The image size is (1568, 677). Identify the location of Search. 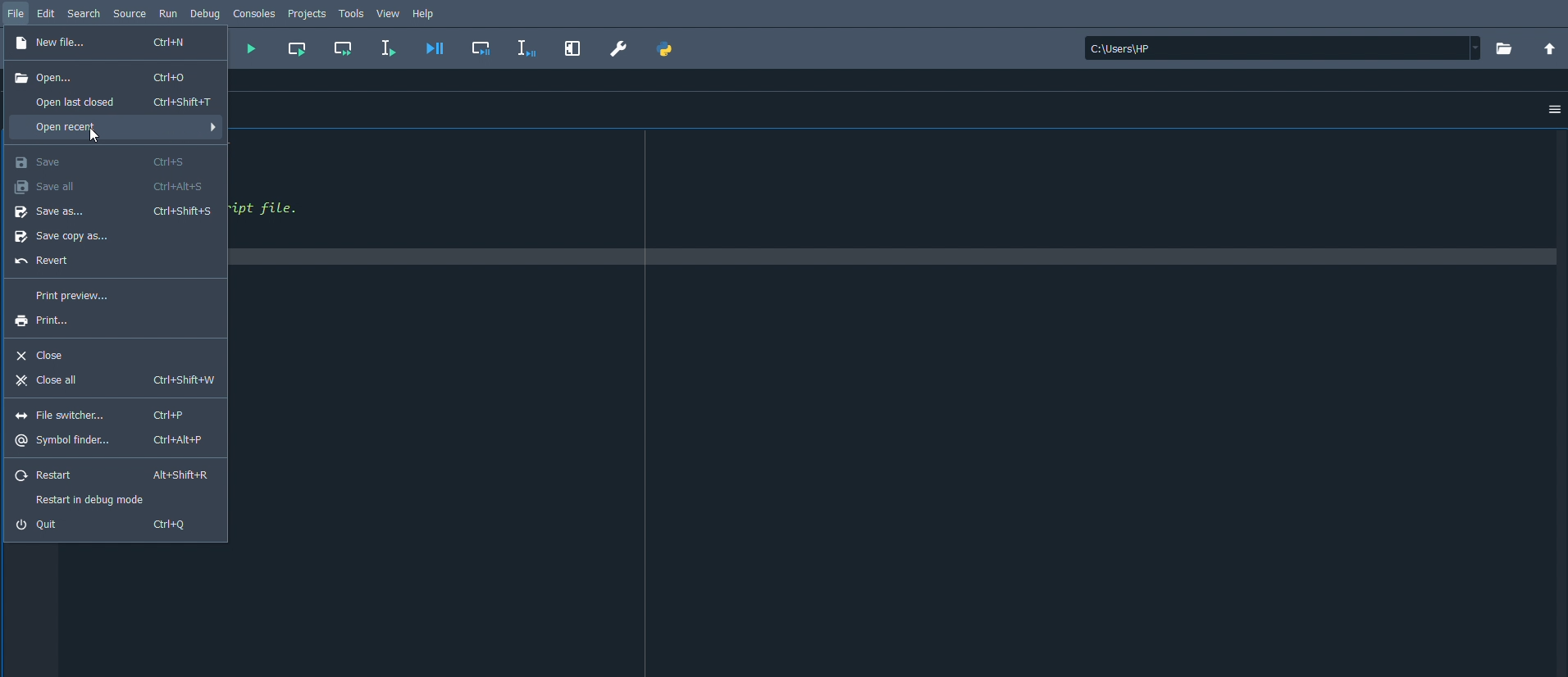
(84, 12).